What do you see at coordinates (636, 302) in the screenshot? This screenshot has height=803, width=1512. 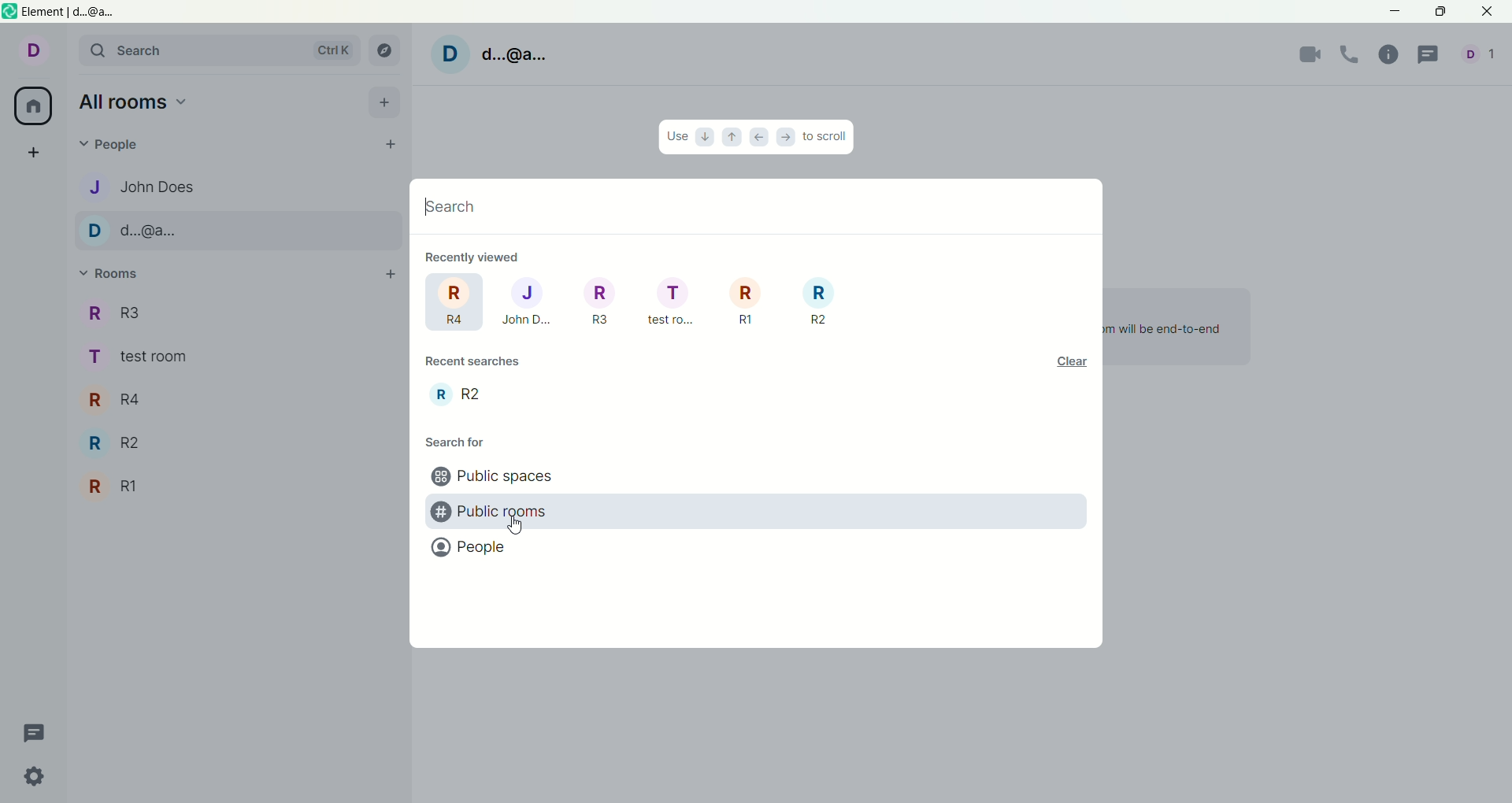 I see `rooms recently viewed` at bounding box center [636, 302].